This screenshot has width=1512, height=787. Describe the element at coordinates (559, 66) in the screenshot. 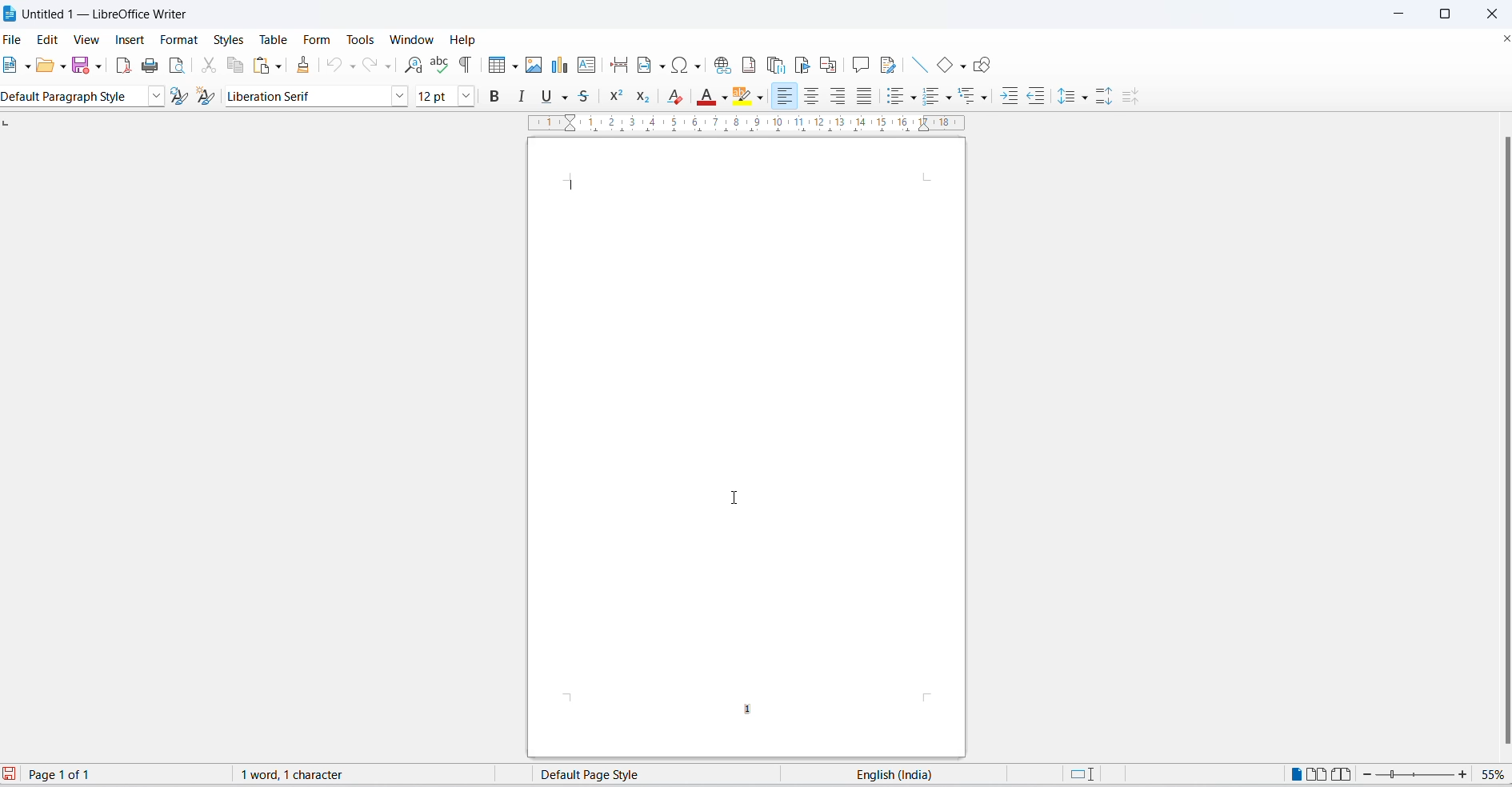

I see `insert charts` at that location.